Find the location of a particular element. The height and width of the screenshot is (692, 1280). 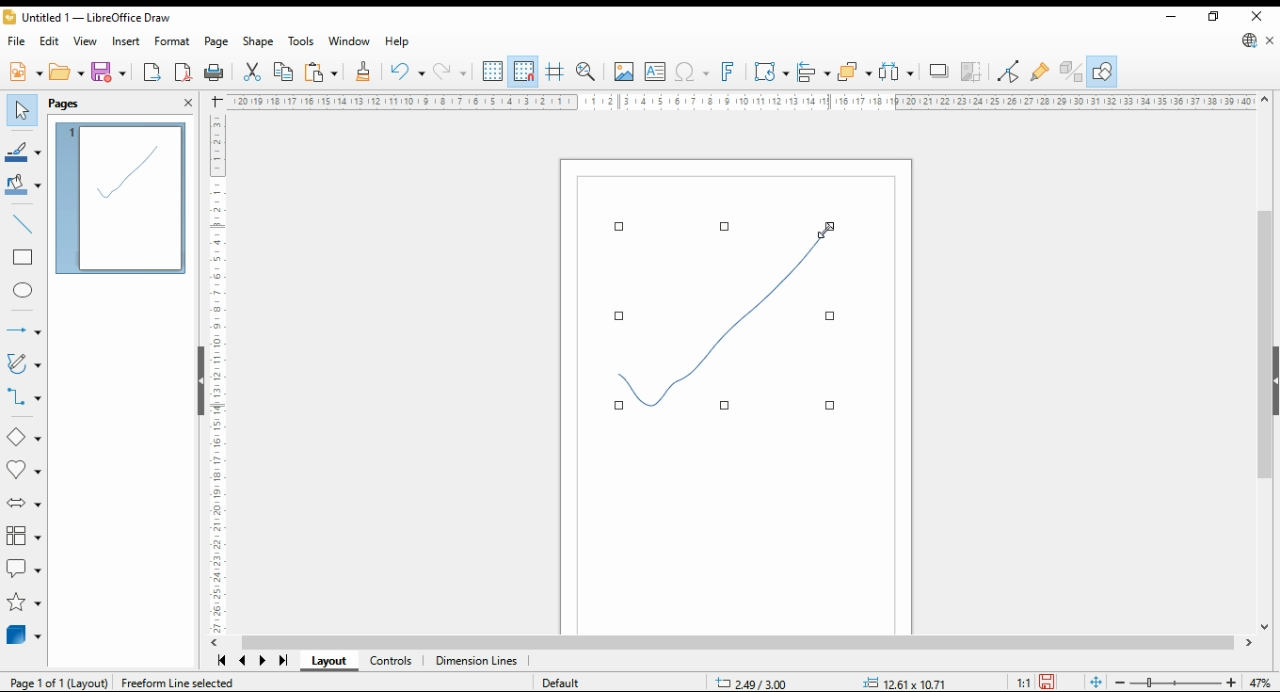

1:1 is located at coordinates (1018, 684).